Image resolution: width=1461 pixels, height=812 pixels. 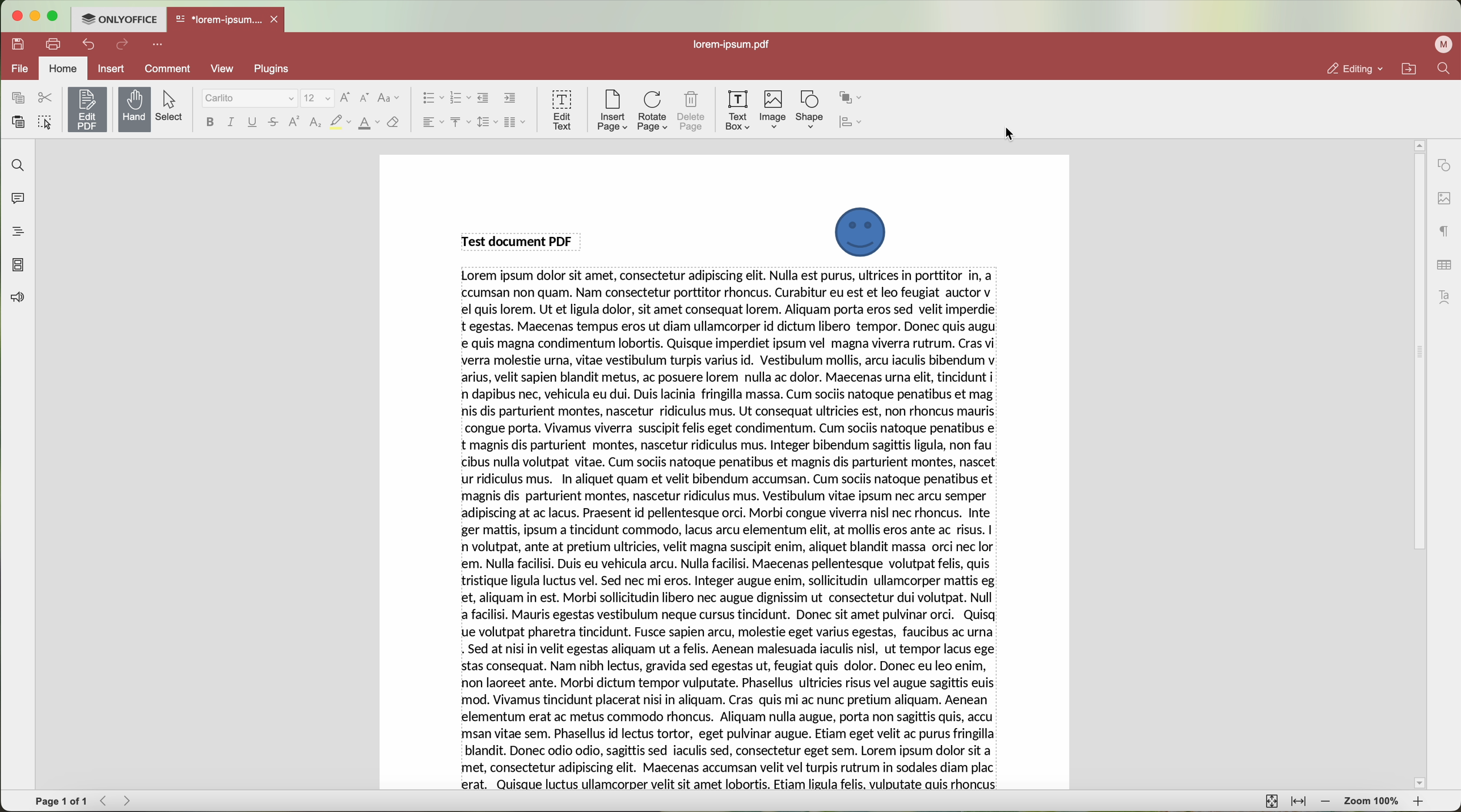 What do you see at coordinates (160, 45) in the screenshot?
I see `customize quick access toolbar` at bounding box center [160, 45].